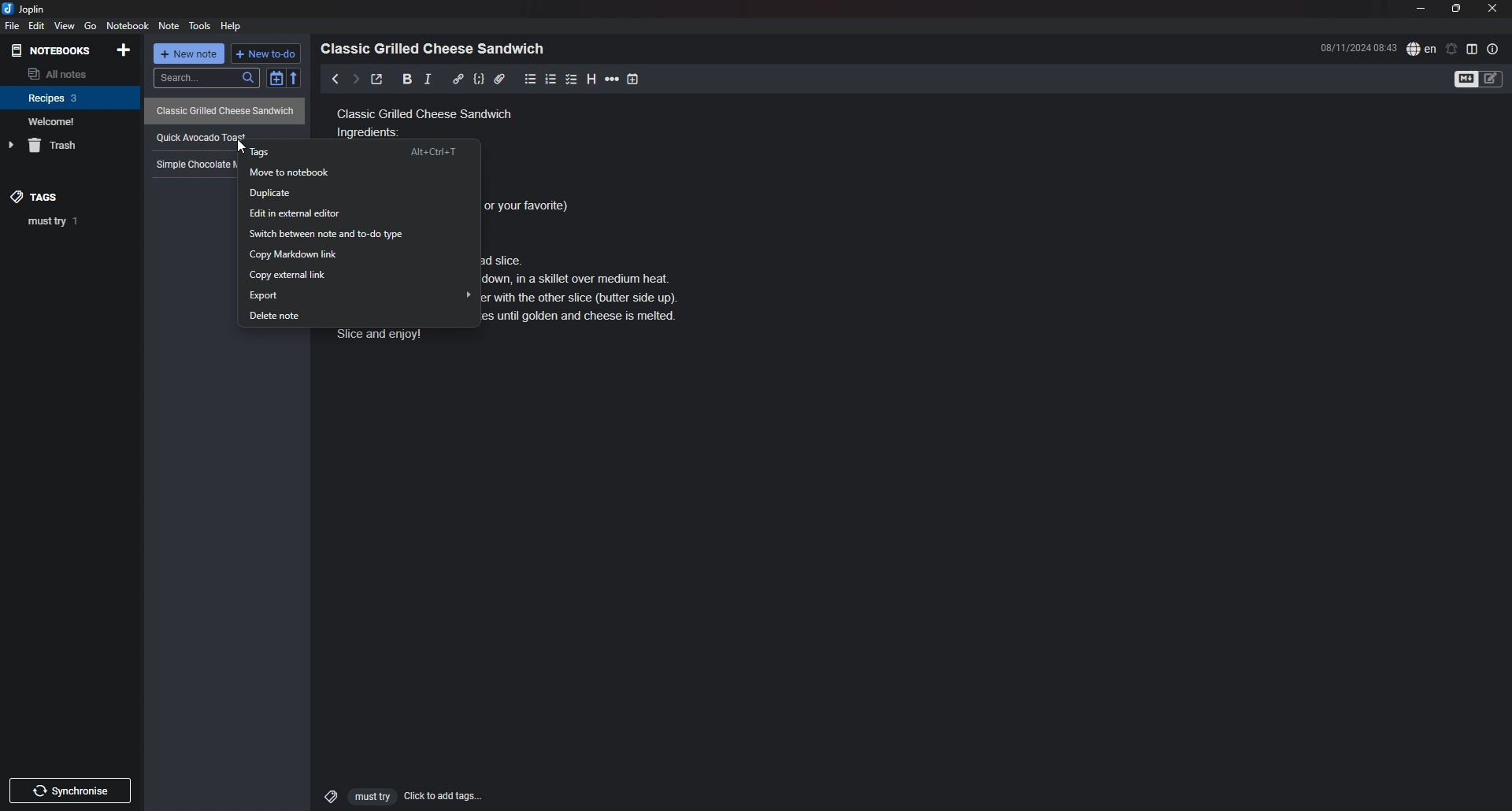 Image resolution: width=1512 pixels, height=811 pixels. What do you see at coordinates (361, 172) in the screenshot?
I see `move to notebook` at bounding box center [361, 172].